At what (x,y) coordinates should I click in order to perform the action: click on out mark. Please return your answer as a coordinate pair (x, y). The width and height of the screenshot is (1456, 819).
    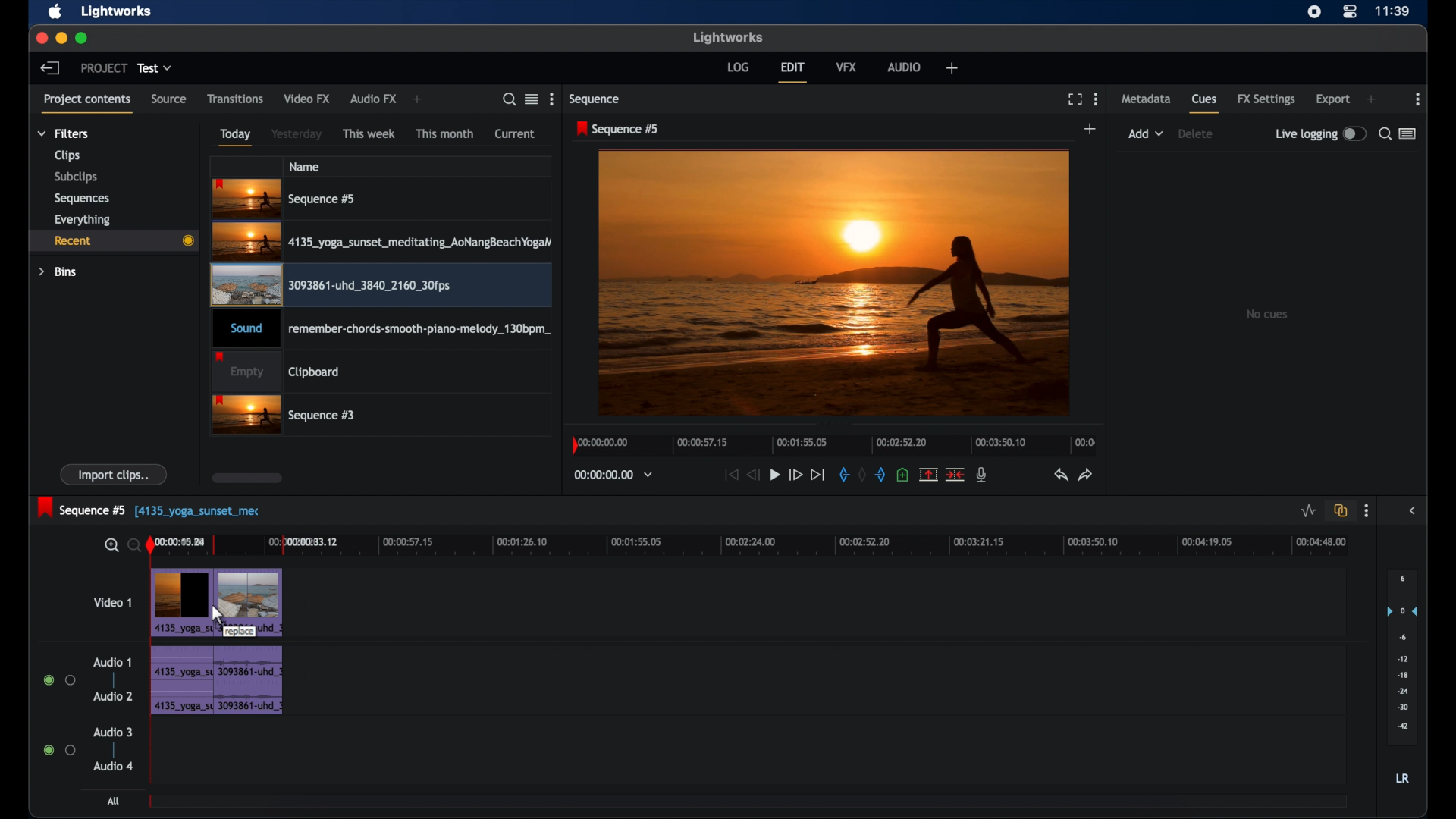
    Looking at the image, I should click on (883, 475).